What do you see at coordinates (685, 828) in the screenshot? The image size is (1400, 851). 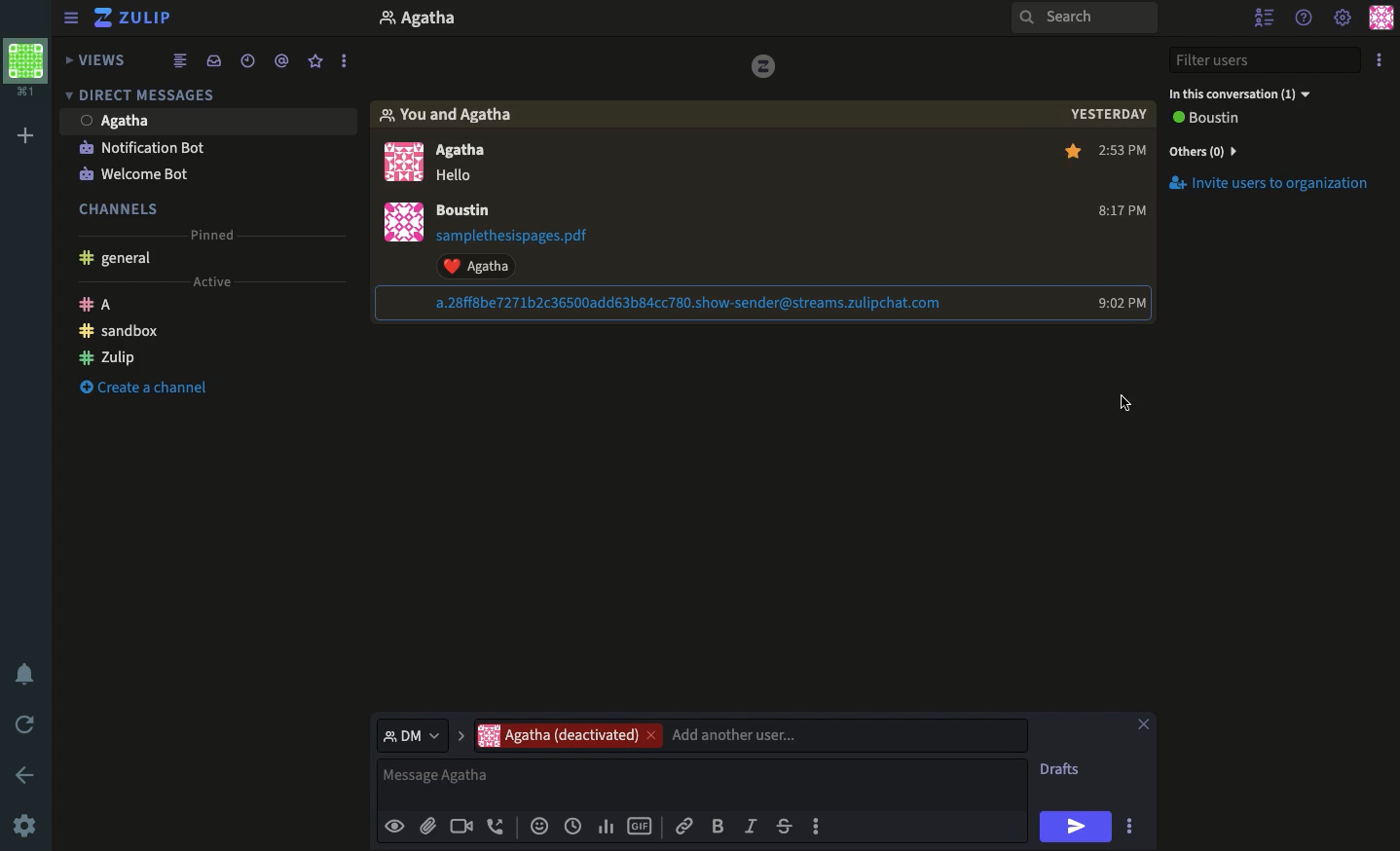 I see `Link` at bounding box center [685, 828].